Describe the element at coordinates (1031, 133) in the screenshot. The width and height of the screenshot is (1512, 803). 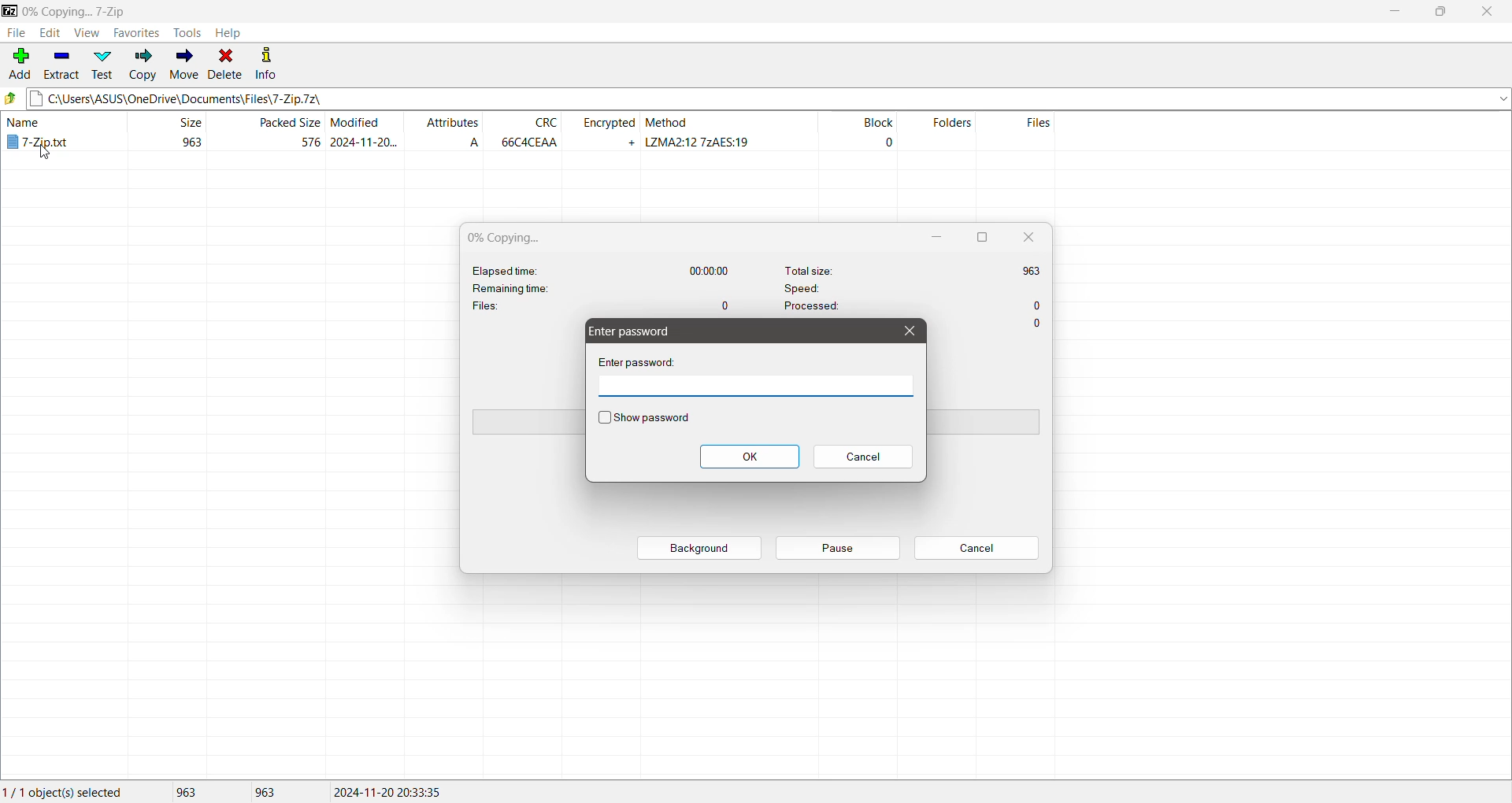
I see `Files` at that location.